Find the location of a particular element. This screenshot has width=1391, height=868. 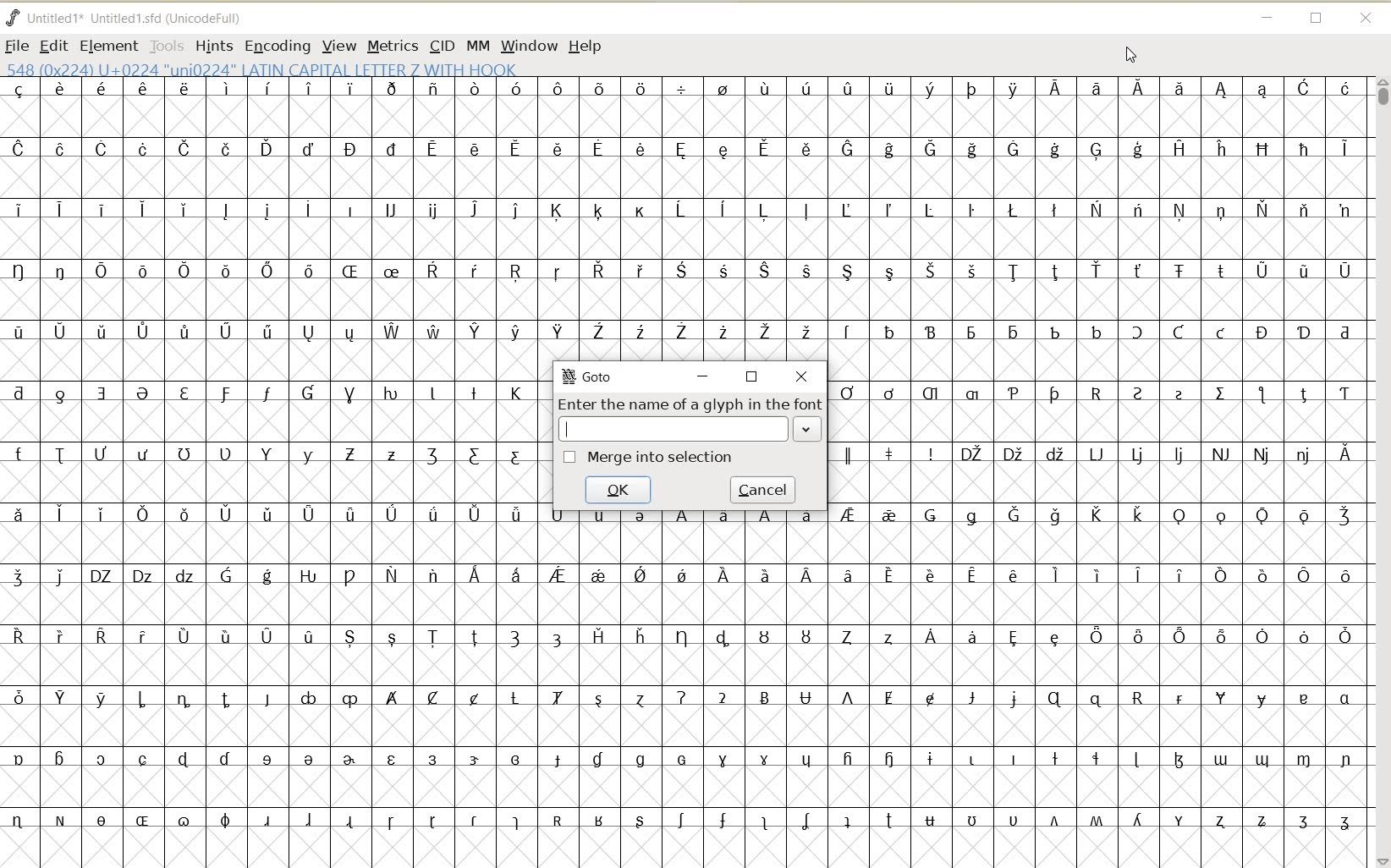

RESTORE is located at coordinates (1317, 19).